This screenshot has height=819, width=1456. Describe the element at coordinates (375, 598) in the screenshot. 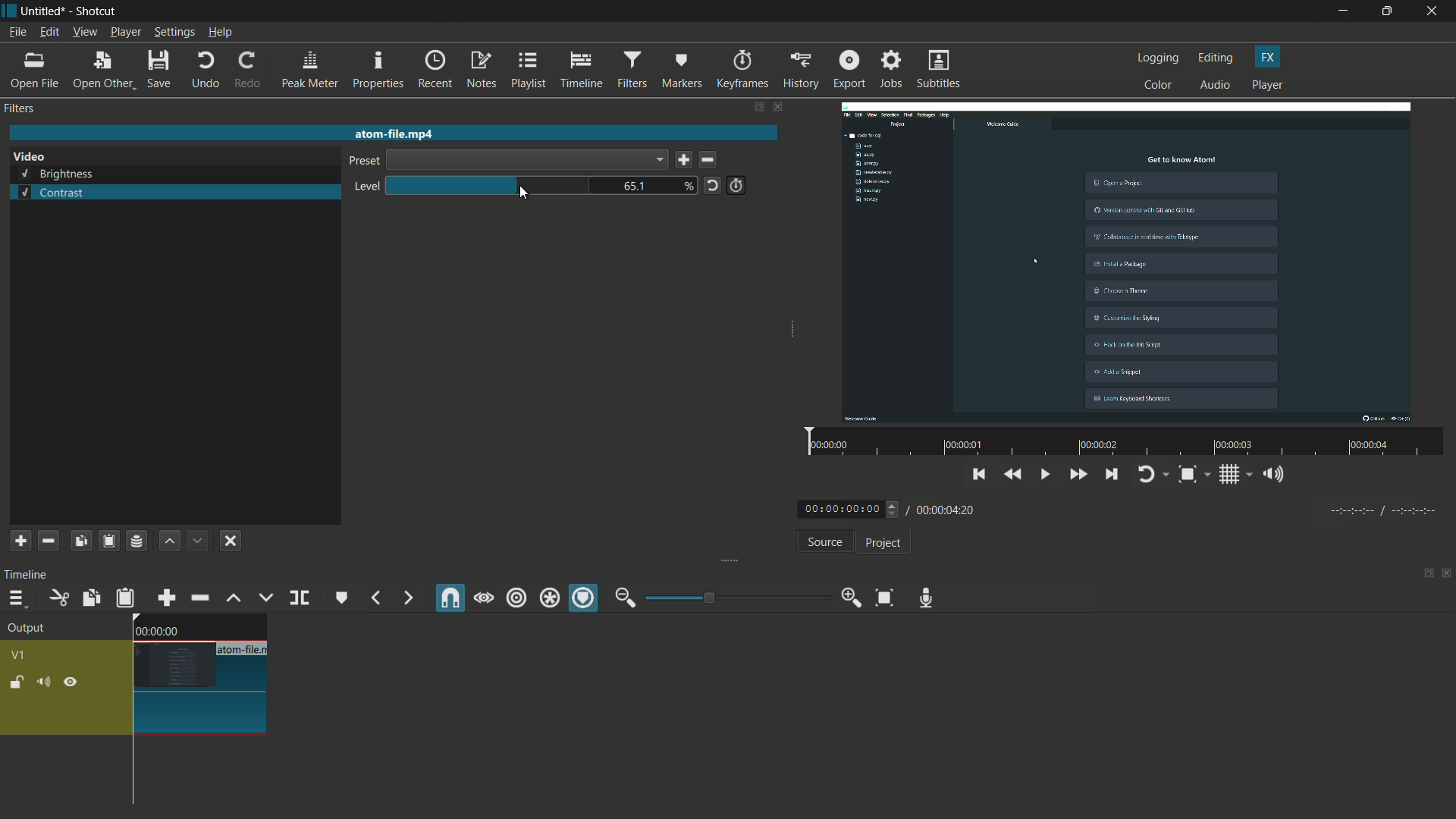

I see `previous marker` at that location.